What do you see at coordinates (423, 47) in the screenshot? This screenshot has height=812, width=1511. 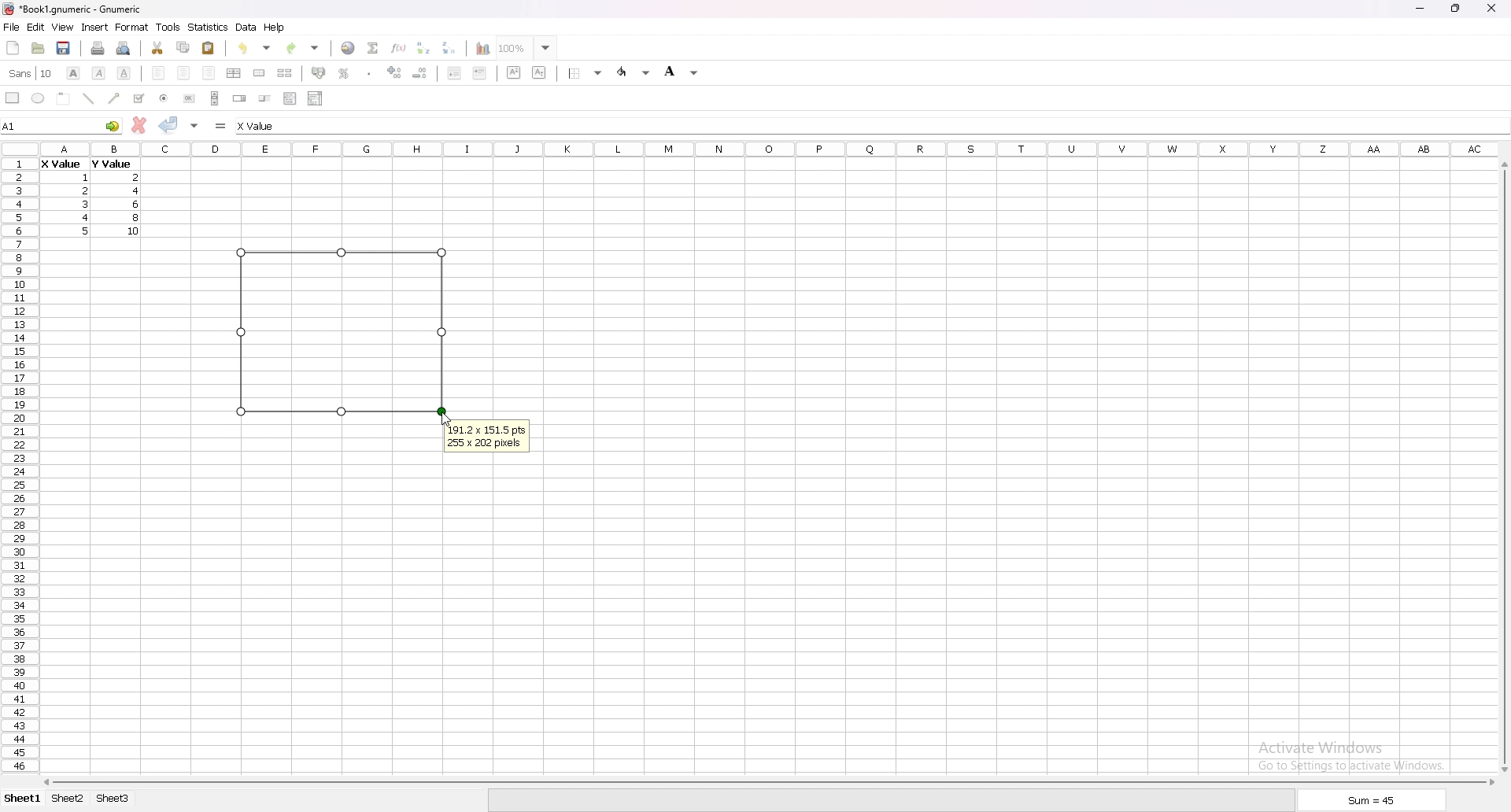 I see `sort ascending` at bounding box center [423, 47].